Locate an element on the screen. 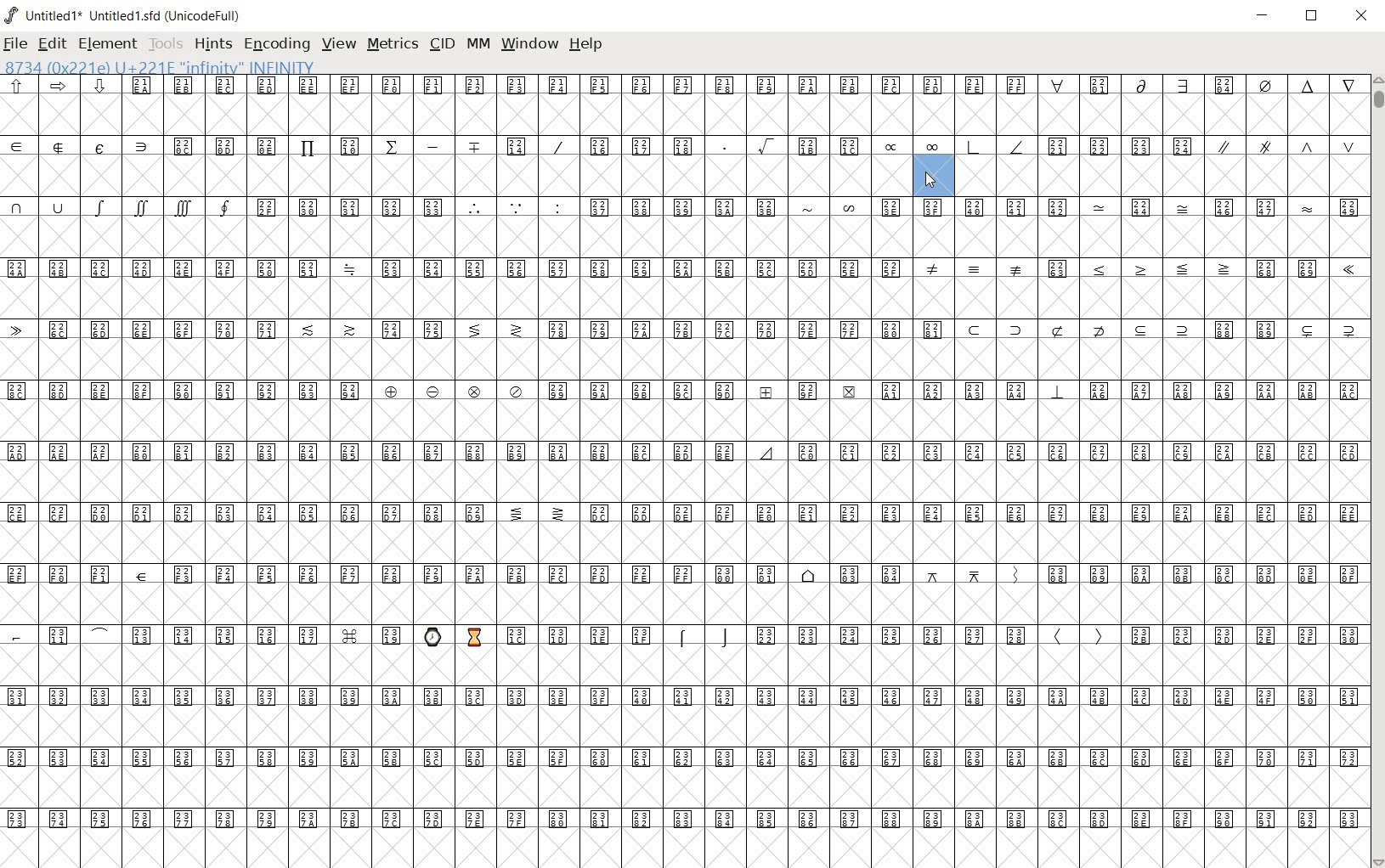 This screenshot has width=1385, height=868. Unicode code points is located at coordinates (682, 572).